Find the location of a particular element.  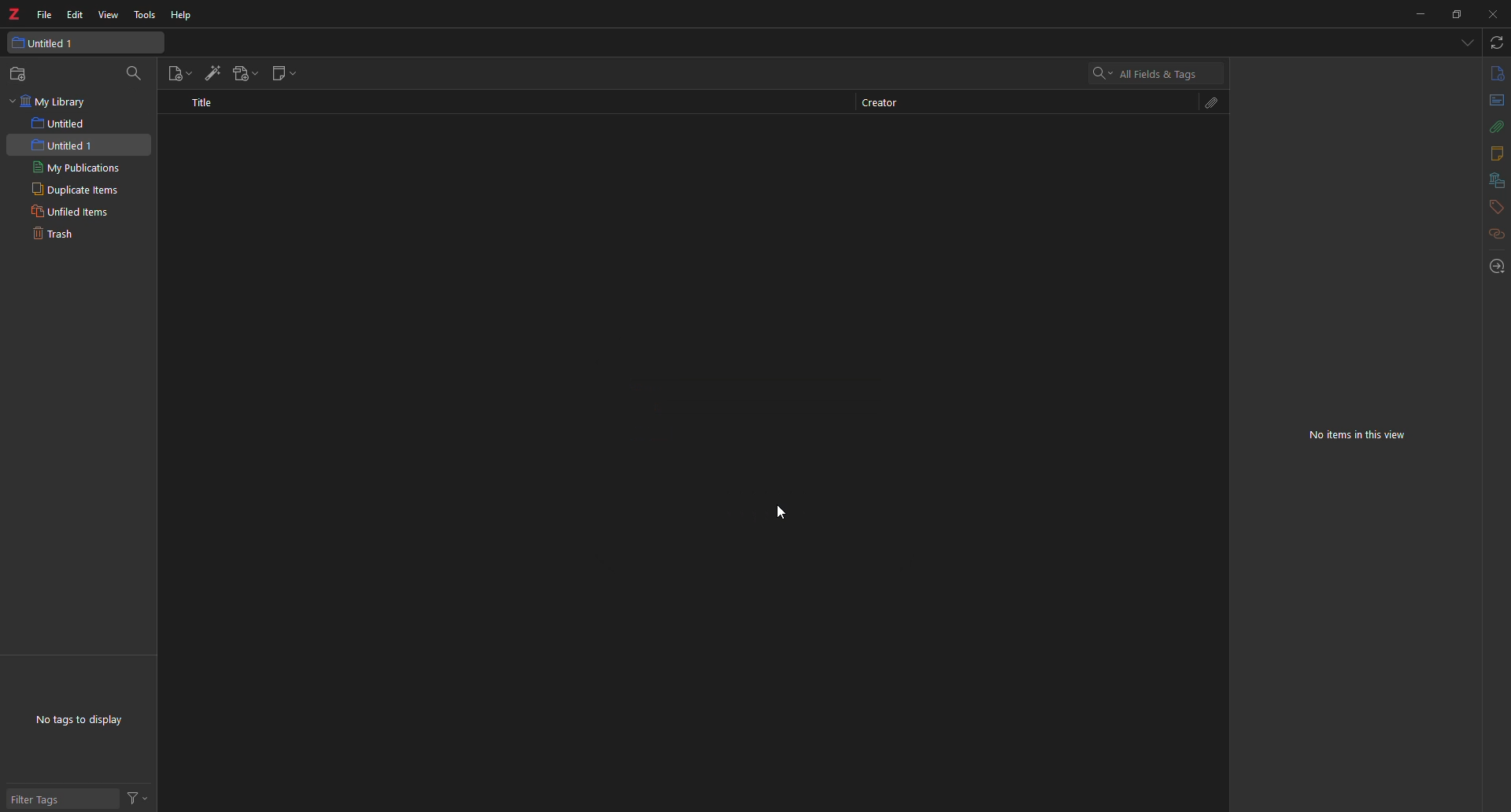

new collection is located at coordinates (20, 73).